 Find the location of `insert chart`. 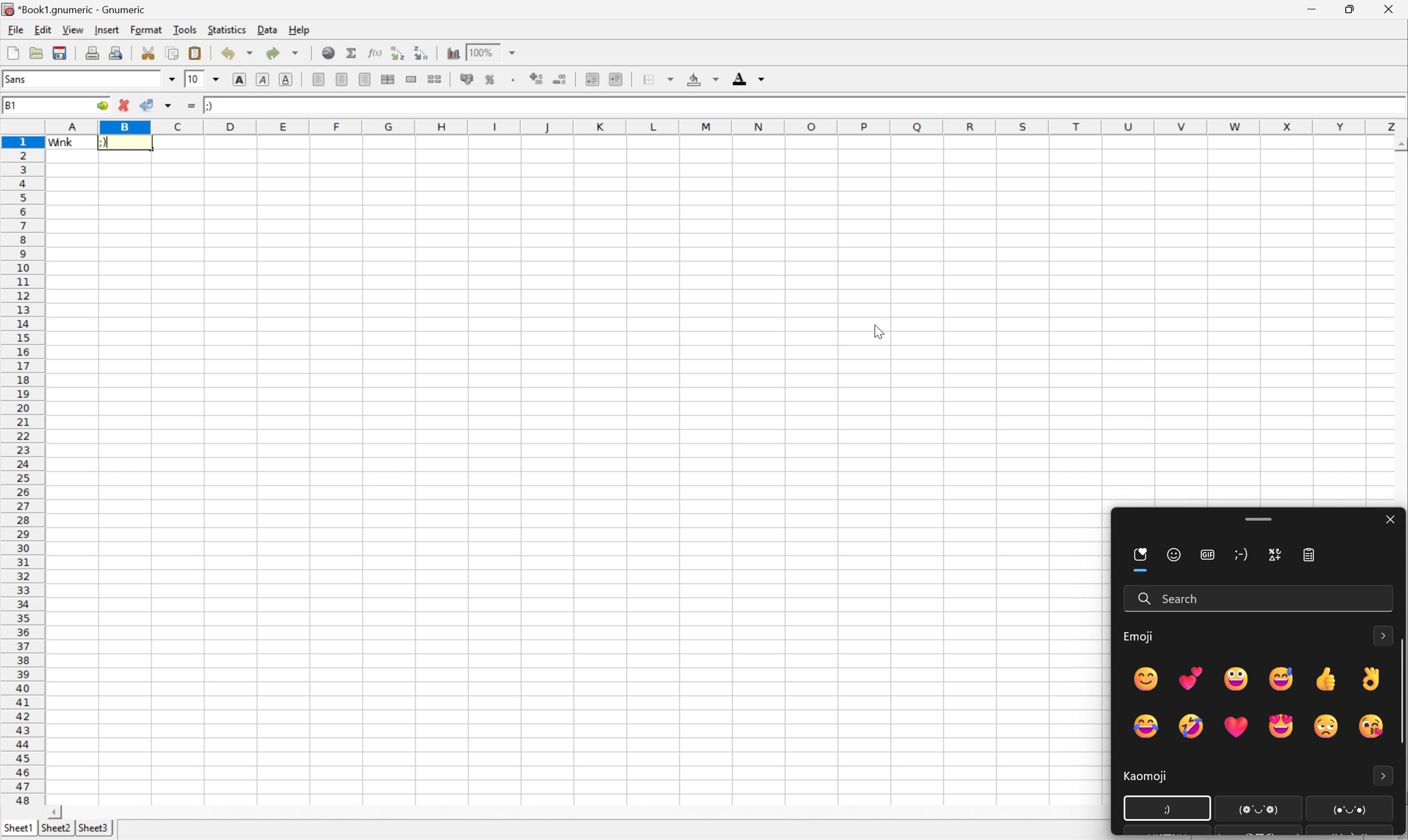

insert chart is located at coordinates (453, 53).